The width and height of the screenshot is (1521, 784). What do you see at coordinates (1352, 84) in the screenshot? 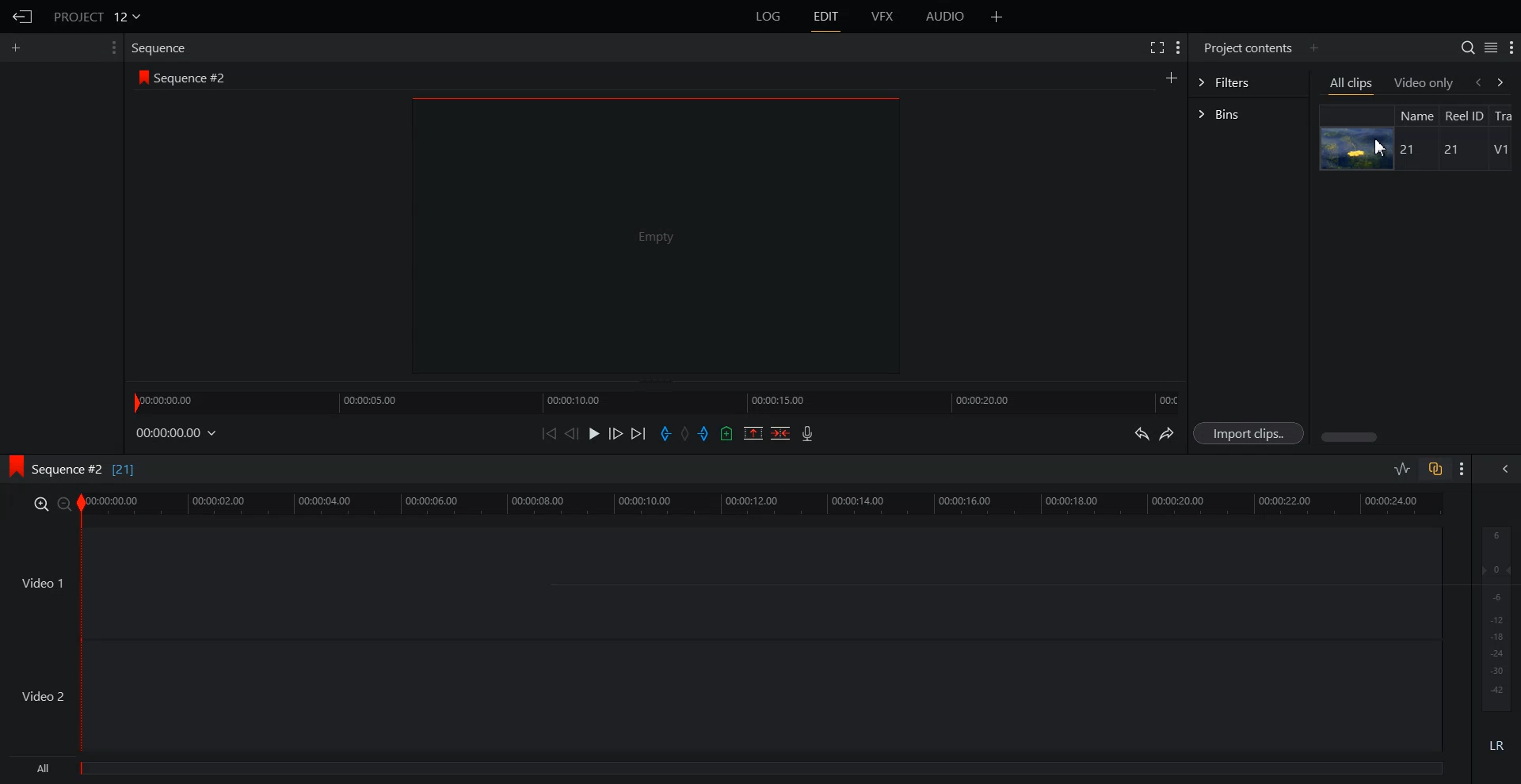
I see `All clips` at bounding box center [1352, 84].